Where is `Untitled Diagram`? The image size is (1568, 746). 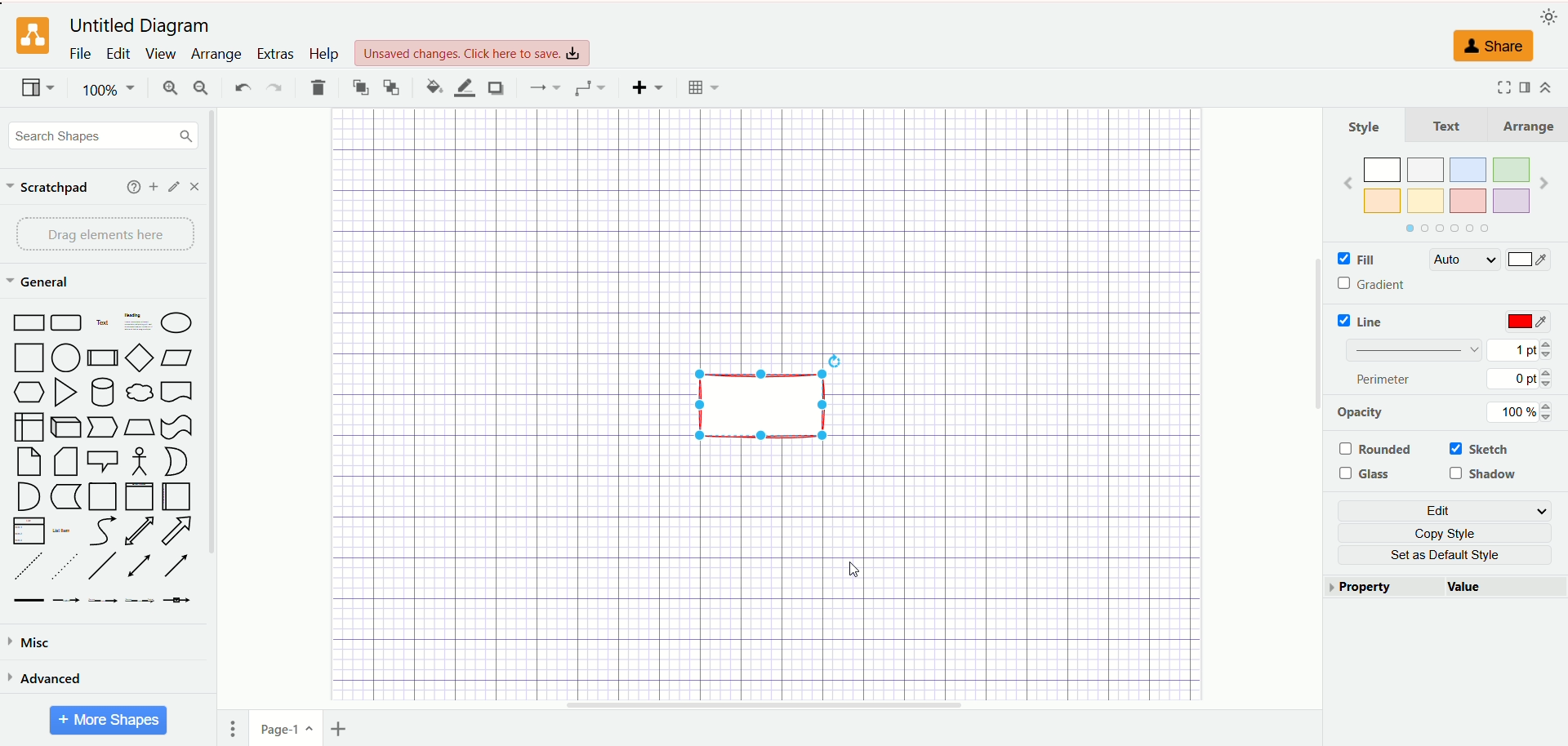 Untitled Diagram is located at coordinates (139, 26).